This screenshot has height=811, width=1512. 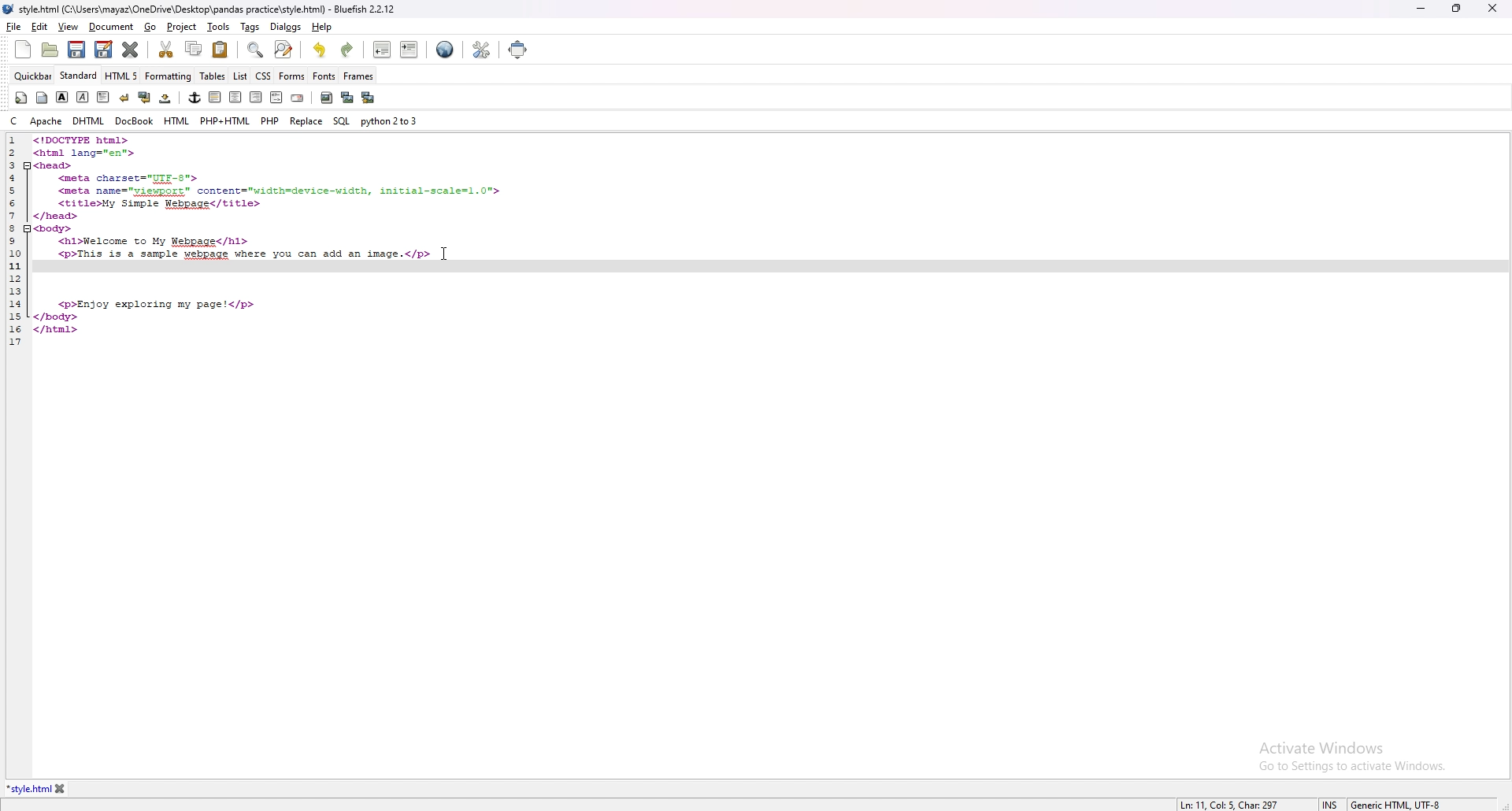 What do you see at coordinates (54, 165) in the screenshot?
I see `<head>` at bounding box center [54, 165].